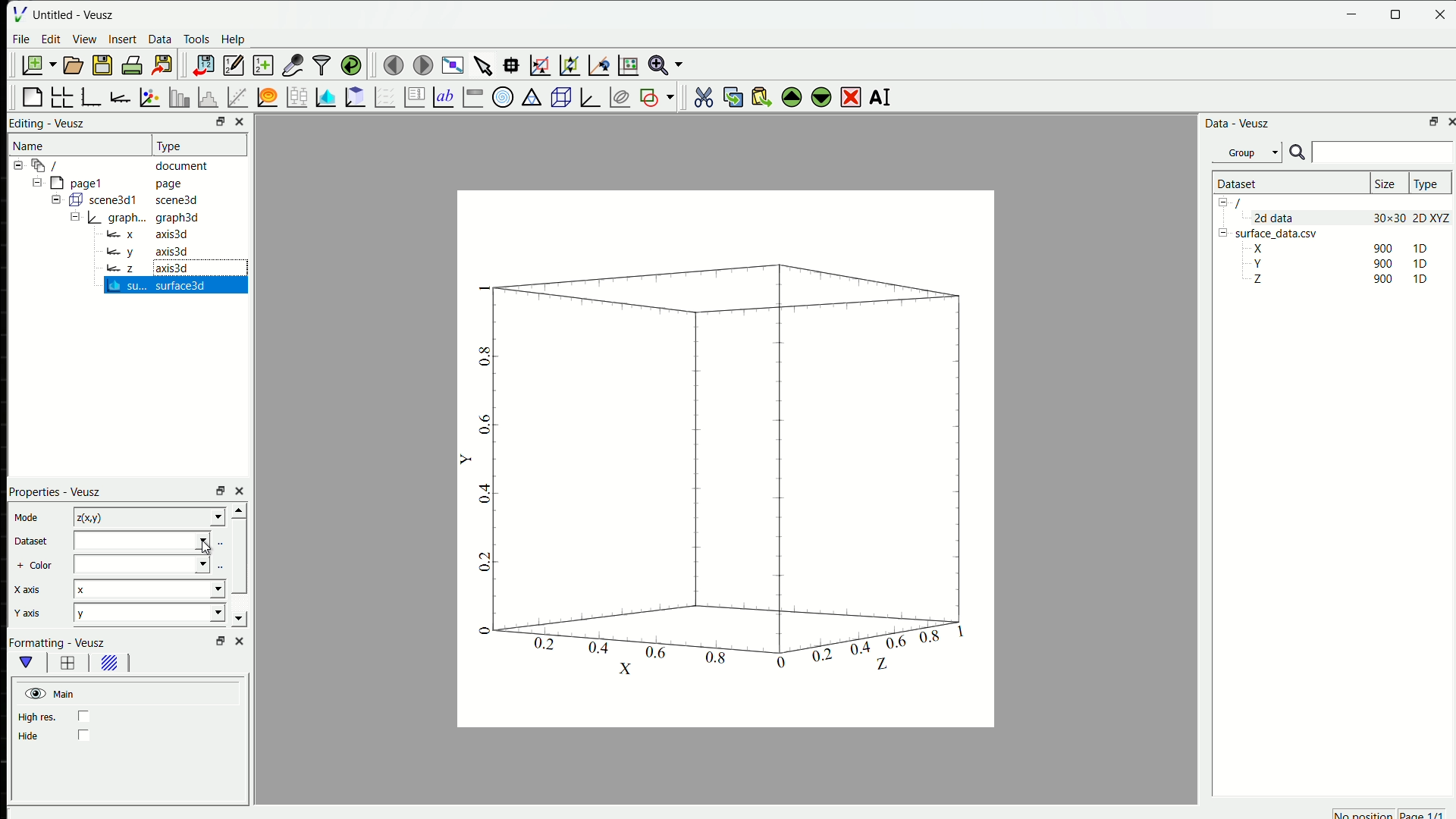 Image resolution: width=1456 pixels, height=819 pixels. What do you see at coordinates (180, 285) in the screenshot?
I see `surface 3D` at bounding box center [180, 285].